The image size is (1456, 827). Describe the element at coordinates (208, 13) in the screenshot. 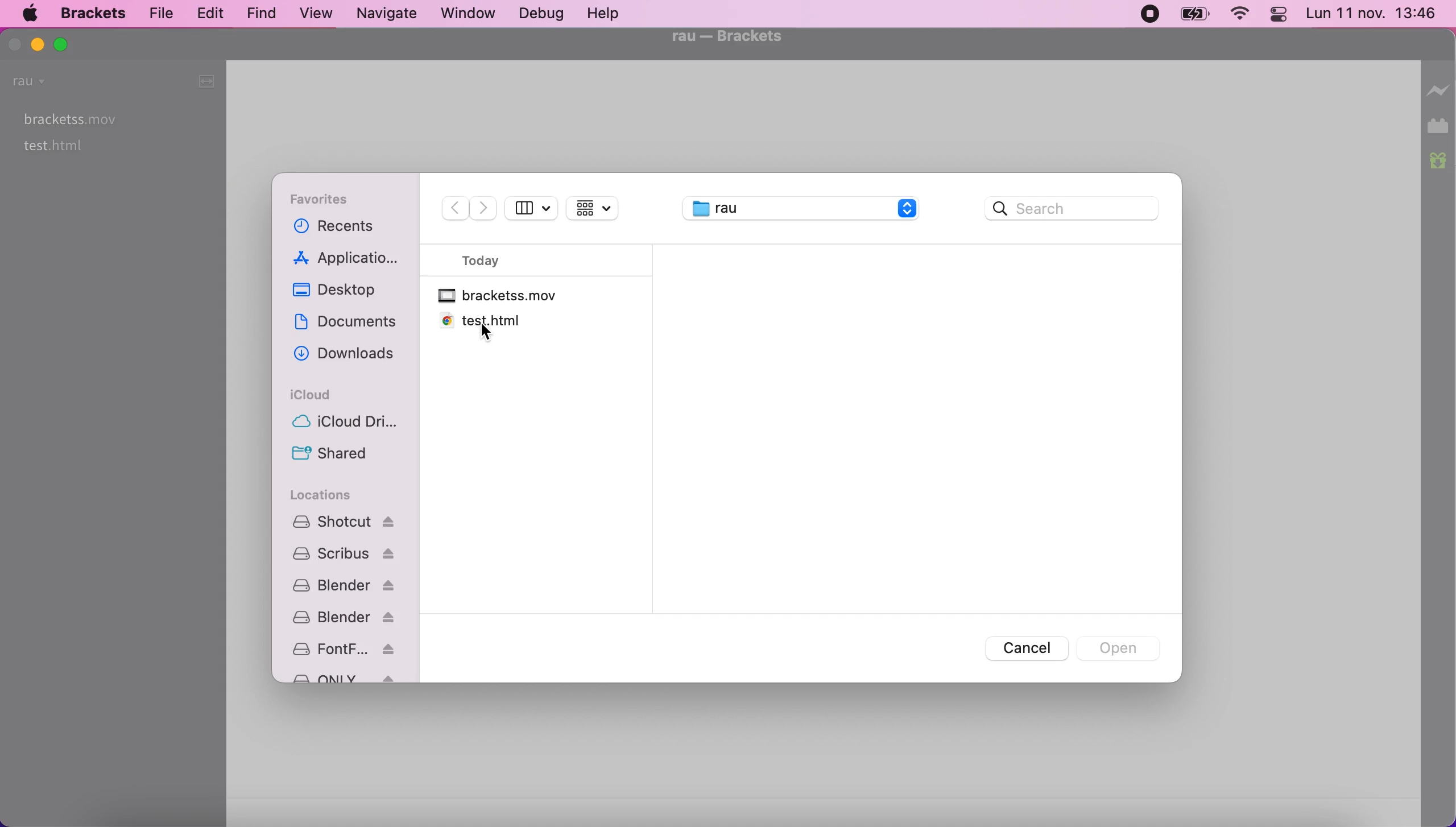

I see `edit` at that location.